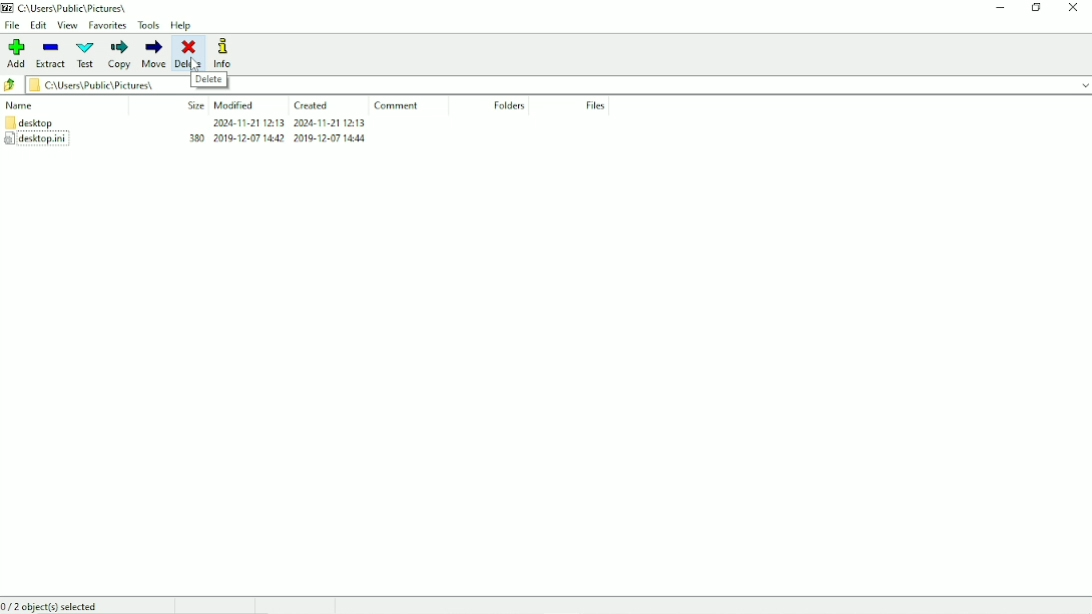 Image resolution: width=1092 pixels, height=614 pixels. Describe the element at coordinates (225, 53) in the screenshot. I see `Info` at that location.